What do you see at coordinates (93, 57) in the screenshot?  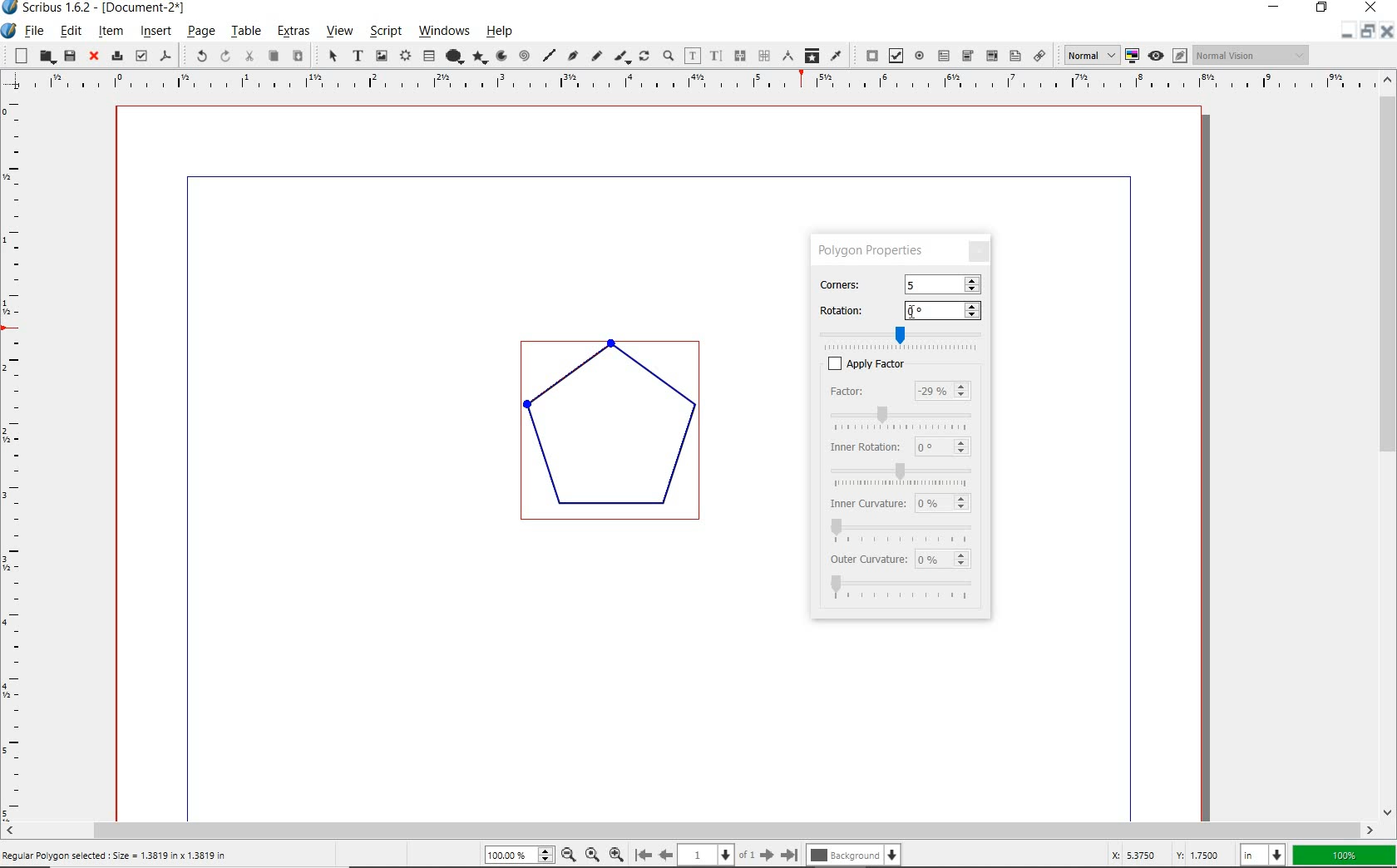 I see `close` at bounding box center [93, 57].